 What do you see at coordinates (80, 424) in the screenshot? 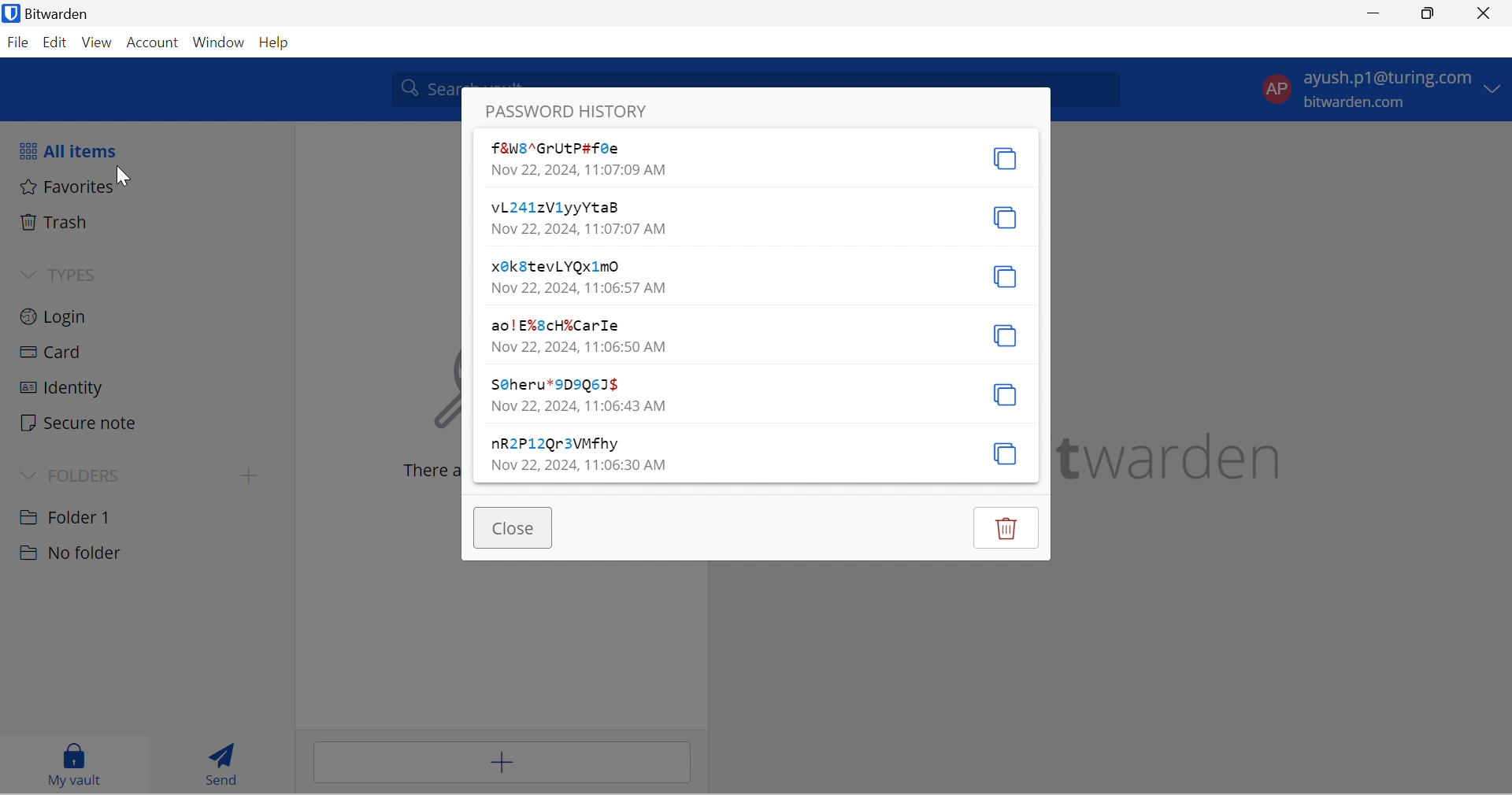
I see `secure note` at bounding box center [80, 424].